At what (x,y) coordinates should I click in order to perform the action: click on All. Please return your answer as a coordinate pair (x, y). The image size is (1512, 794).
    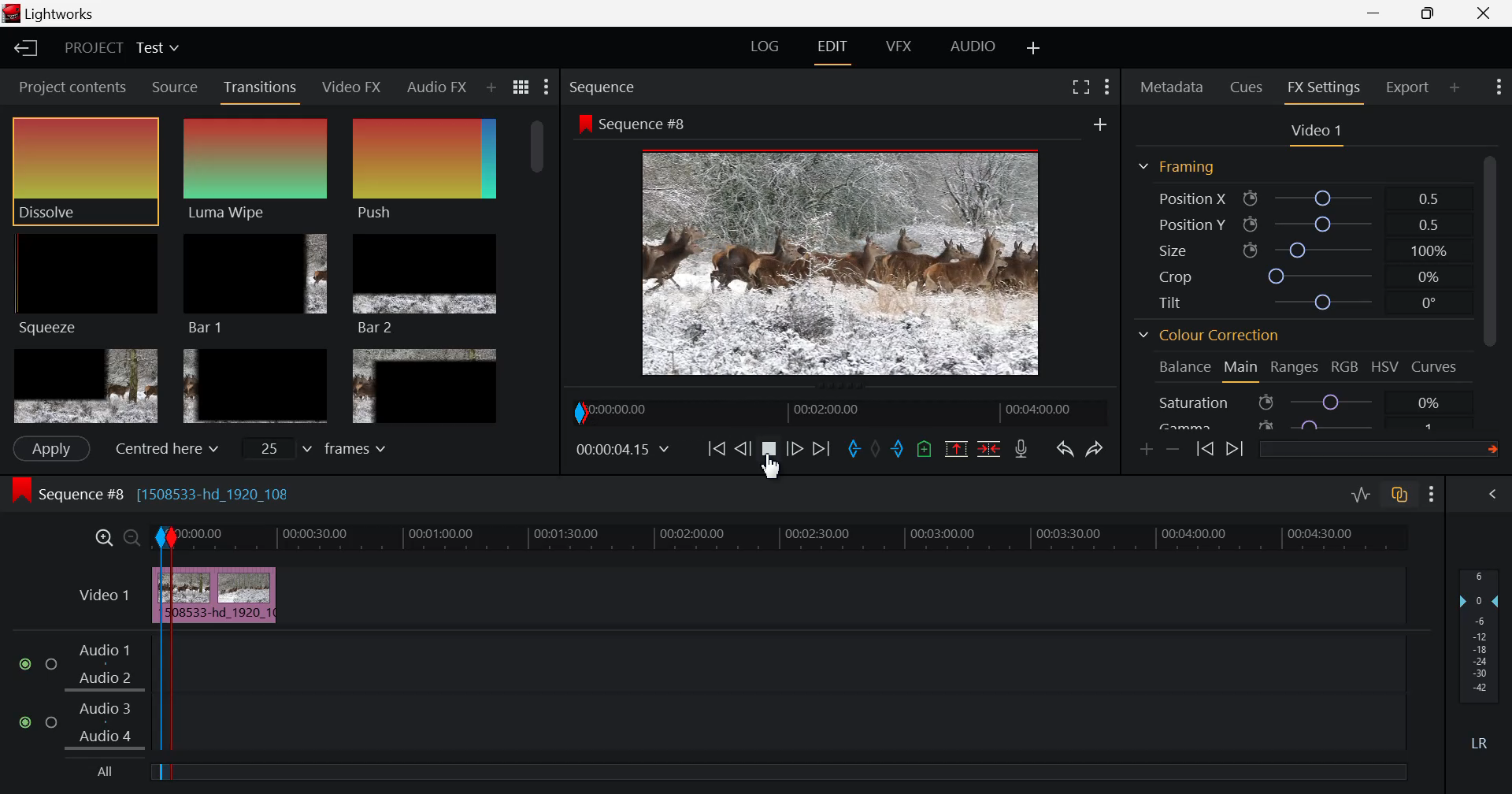
    Looking at the image, I should click on (109, 773).